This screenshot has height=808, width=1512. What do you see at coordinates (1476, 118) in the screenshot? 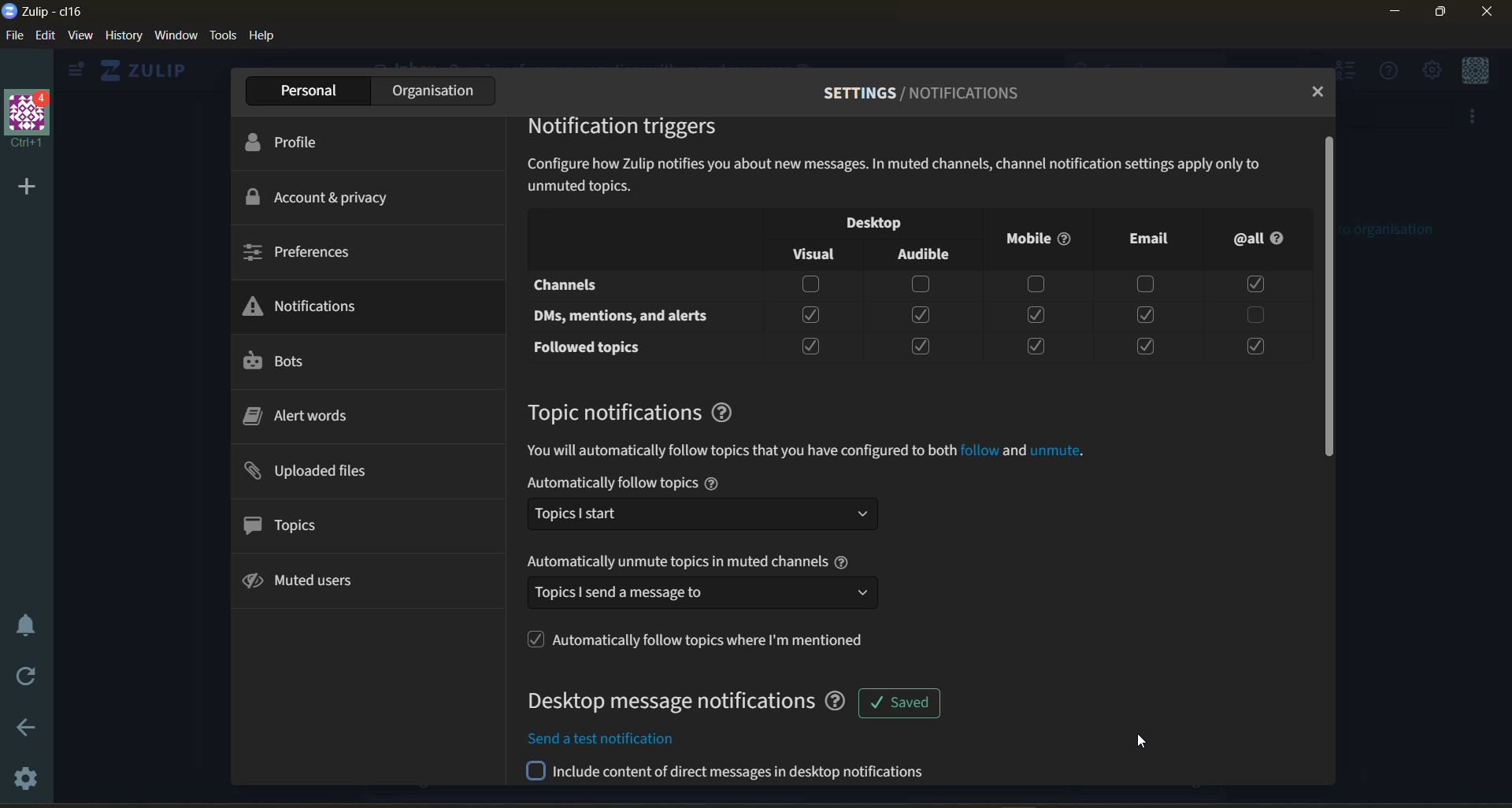
I see `more options` at bounding box center [1476, 118].